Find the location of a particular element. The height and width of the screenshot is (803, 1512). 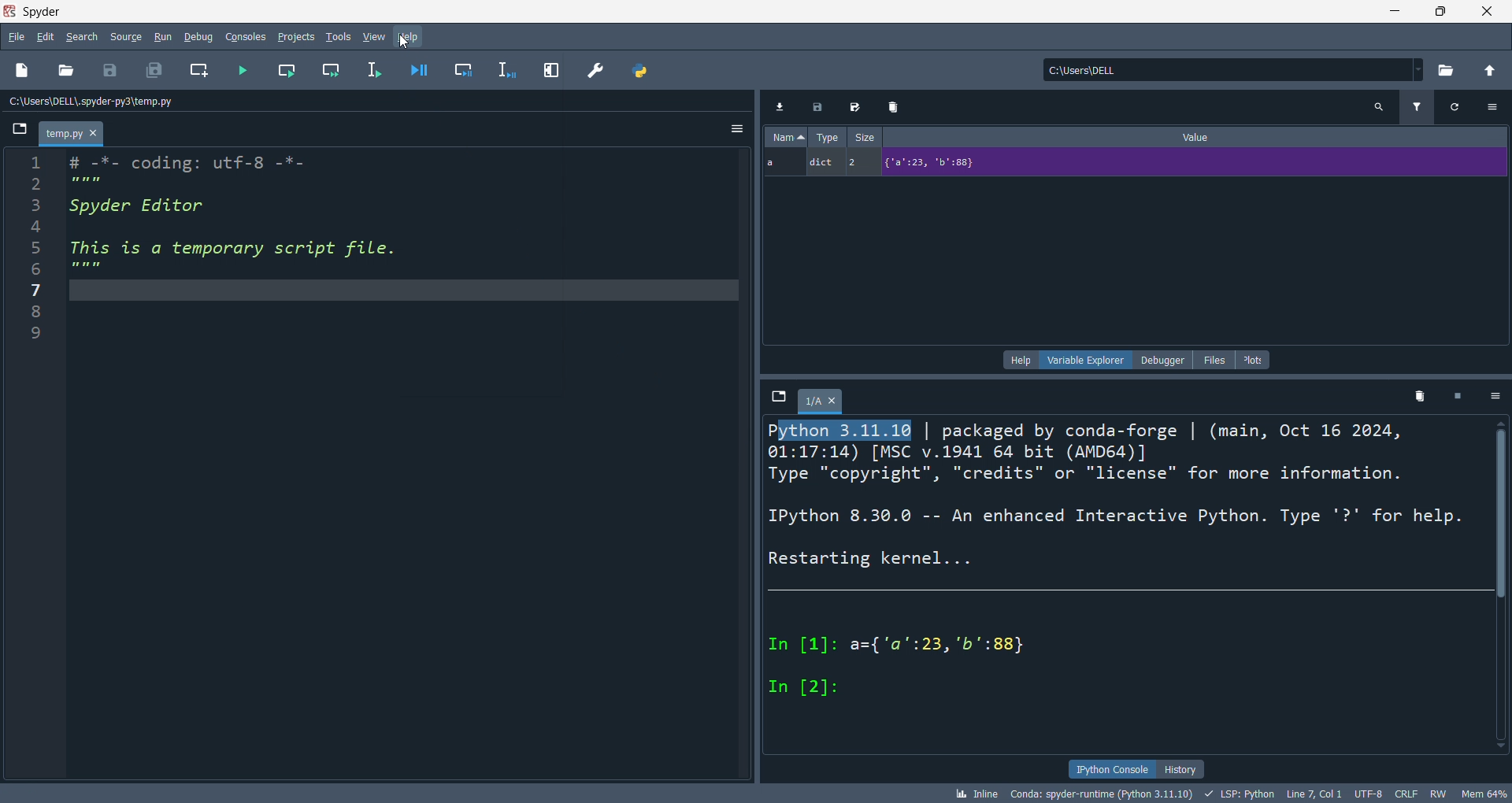

debug line is located at coordinates (509, 71).